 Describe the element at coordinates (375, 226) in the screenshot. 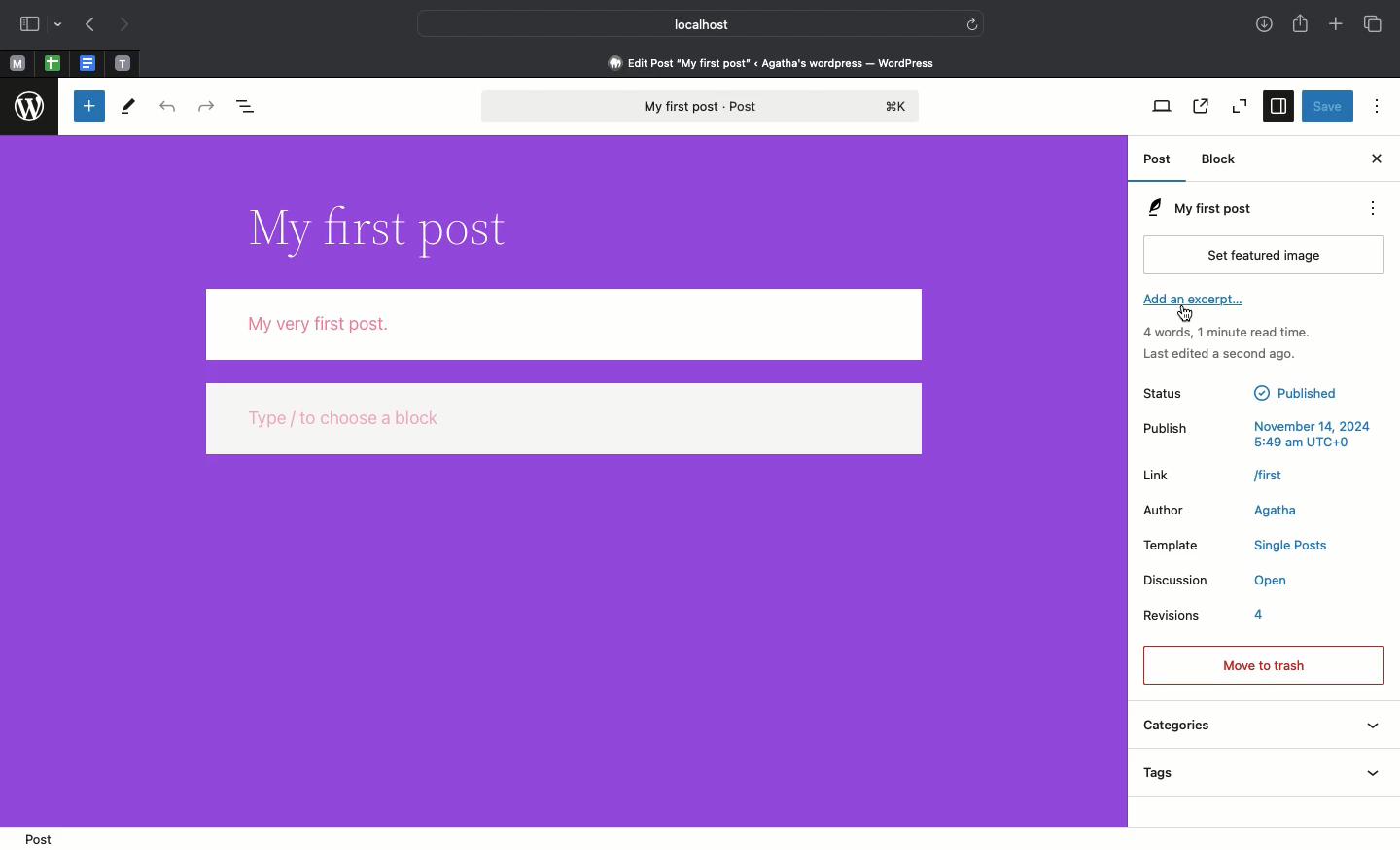

I see `Title` at that location.